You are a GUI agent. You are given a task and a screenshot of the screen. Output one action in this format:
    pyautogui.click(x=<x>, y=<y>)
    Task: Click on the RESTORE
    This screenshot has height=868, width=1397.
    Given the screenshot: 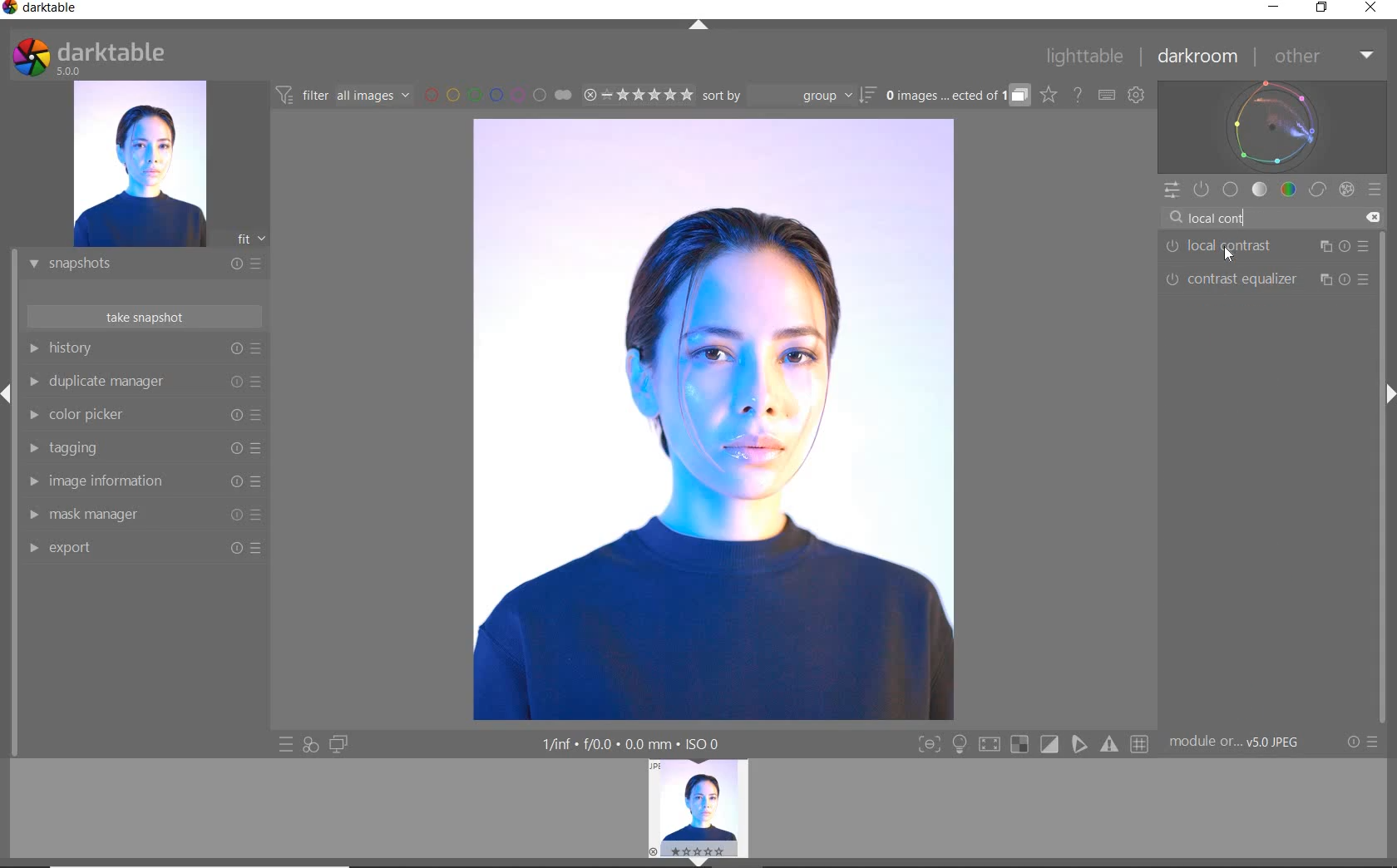 What is the action you would take?
    pyautogui.click(x=1325, y=8)
    